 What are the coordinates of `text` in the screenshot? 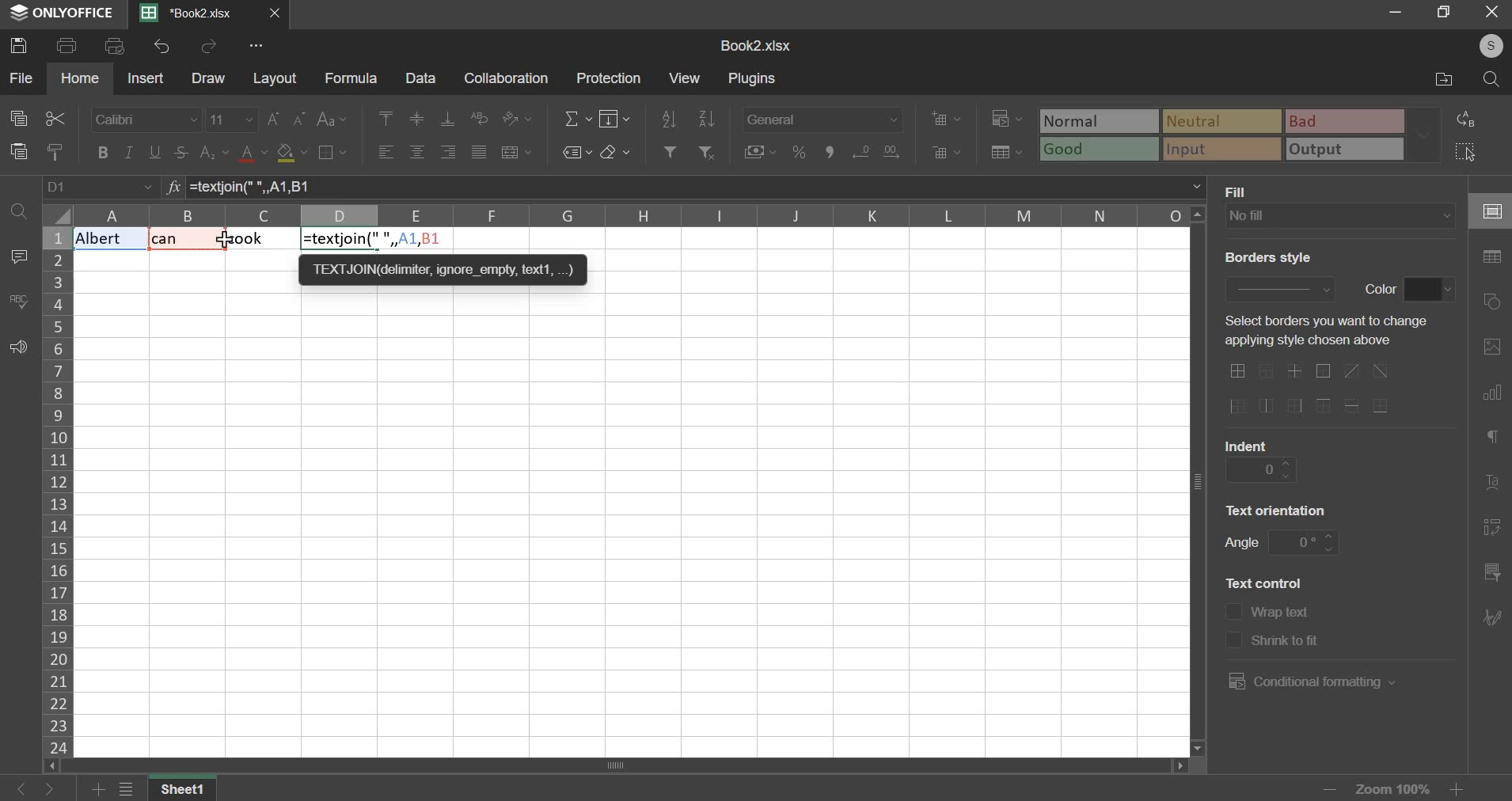 It's located at (1241, 545).